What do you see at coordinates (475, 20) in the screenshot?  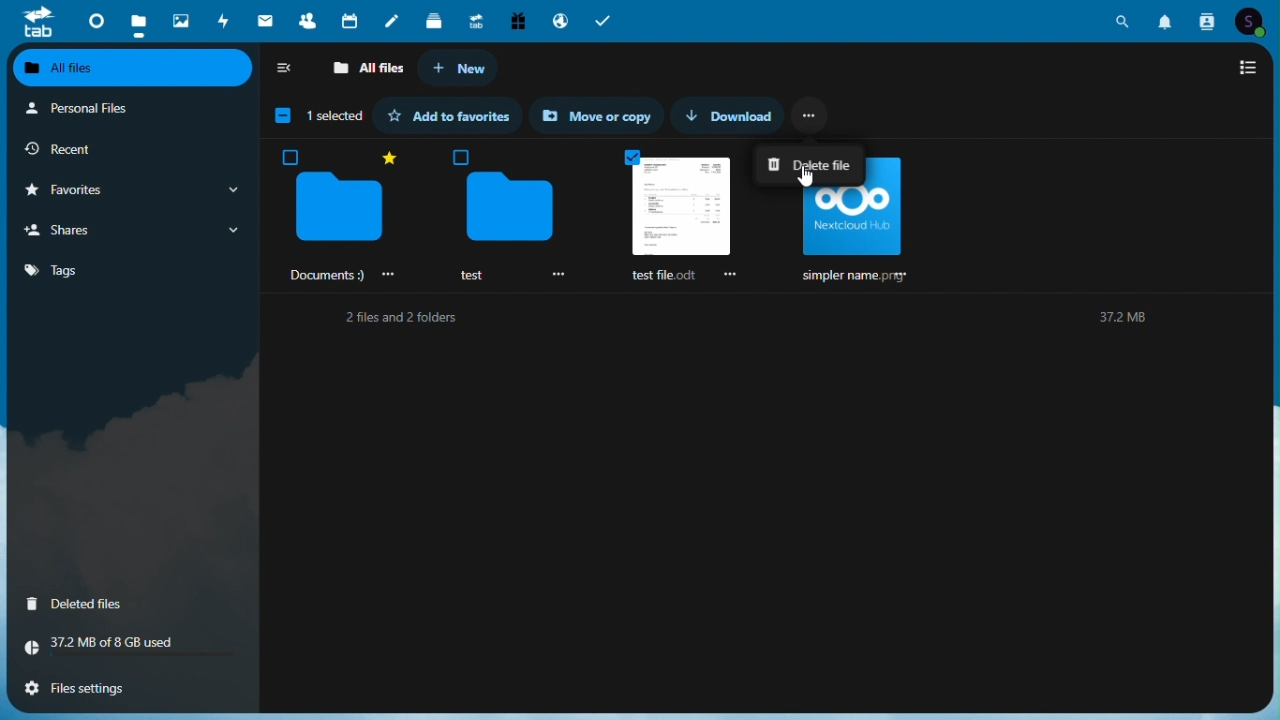 I see `Upgrade` at bounding box center [475, 20].